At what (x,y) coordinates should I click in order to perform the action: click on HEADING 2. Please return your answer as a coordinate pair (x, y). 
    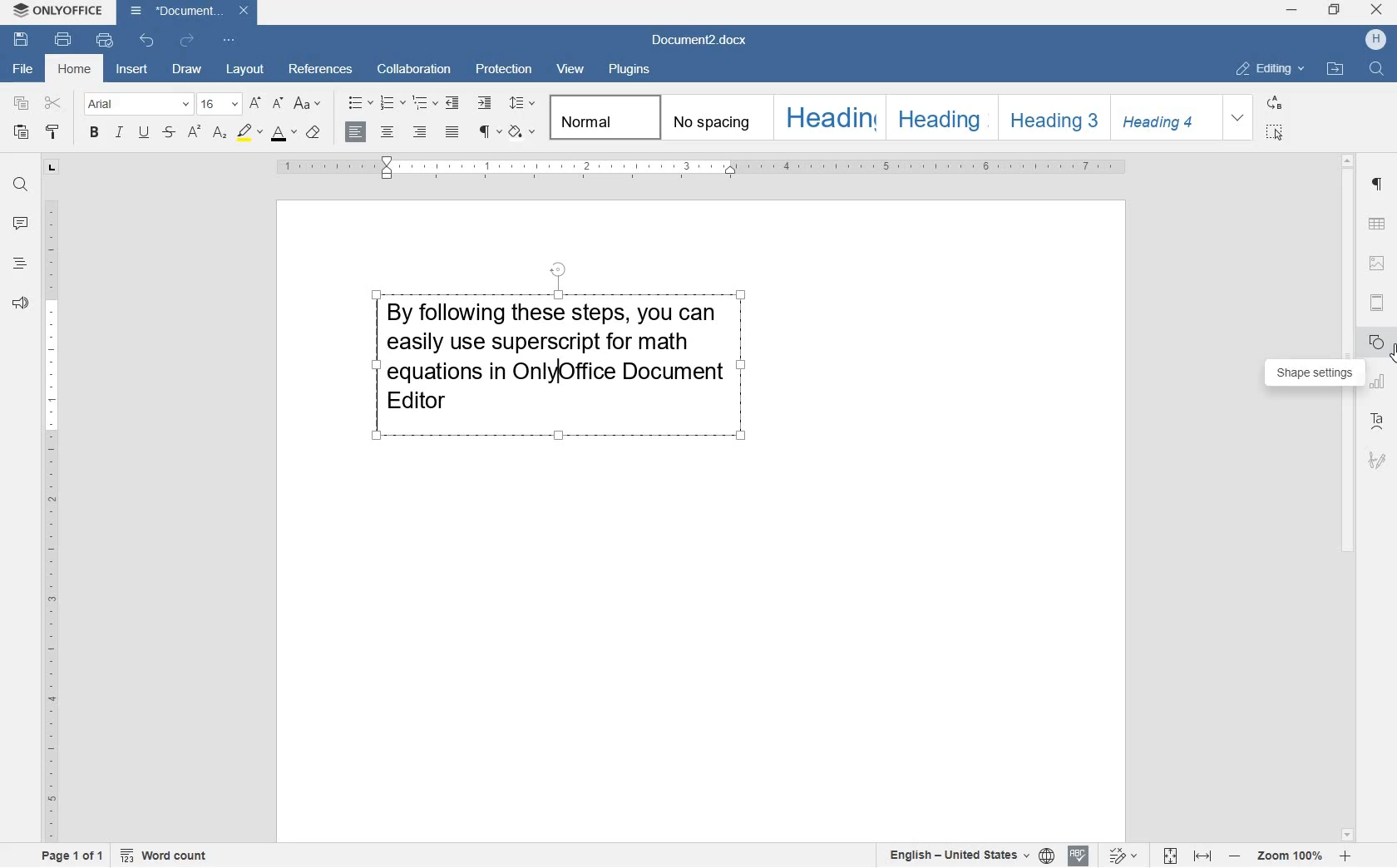
    Looking at the image, I should click on (938, 116).